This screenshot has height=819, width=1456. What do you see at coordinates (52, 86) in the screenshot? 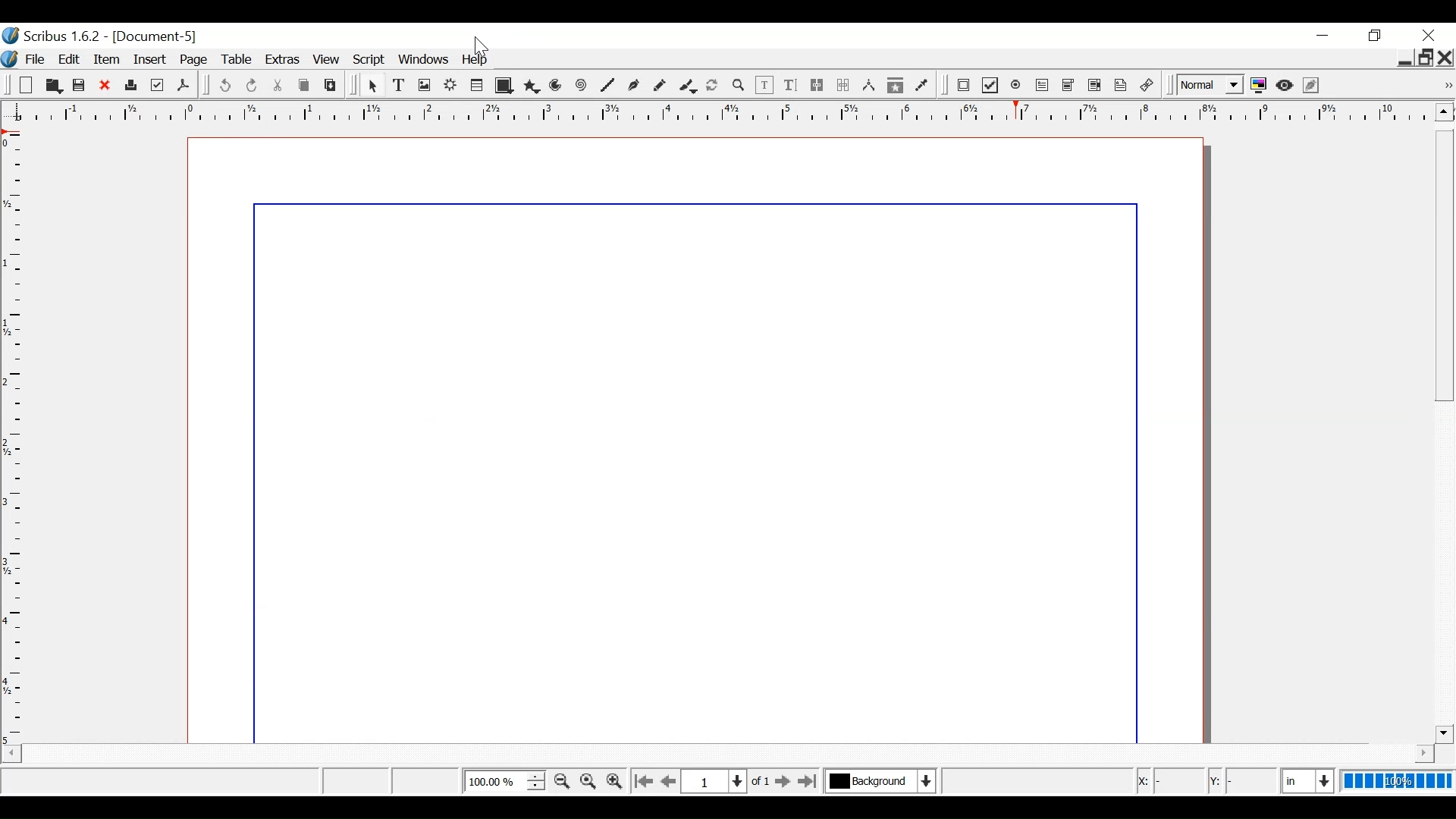
I see `Open` at bounding box center [52, 86].